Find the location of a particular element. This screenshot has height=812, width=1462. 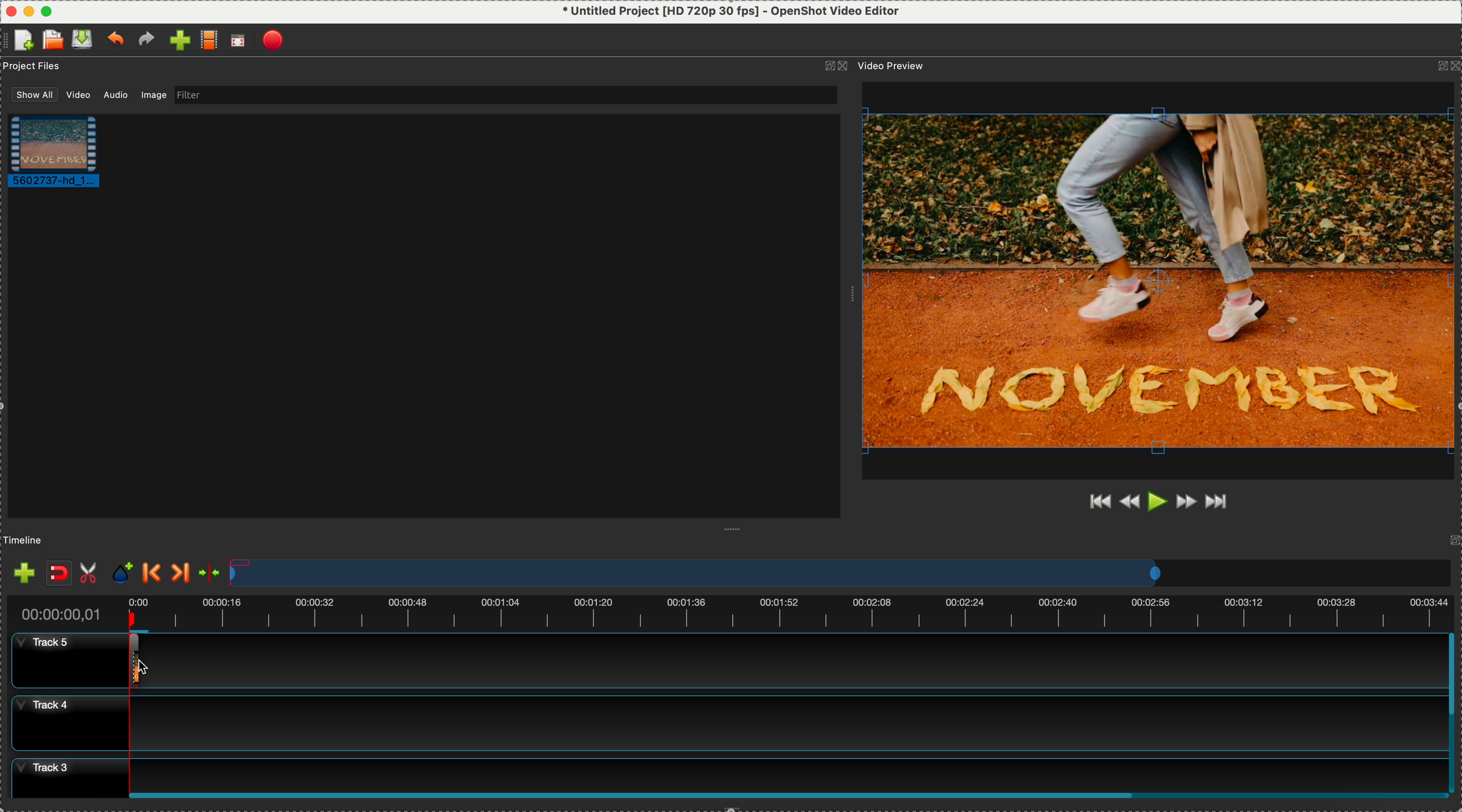

disable snaping is located at coordinates (59, 573).